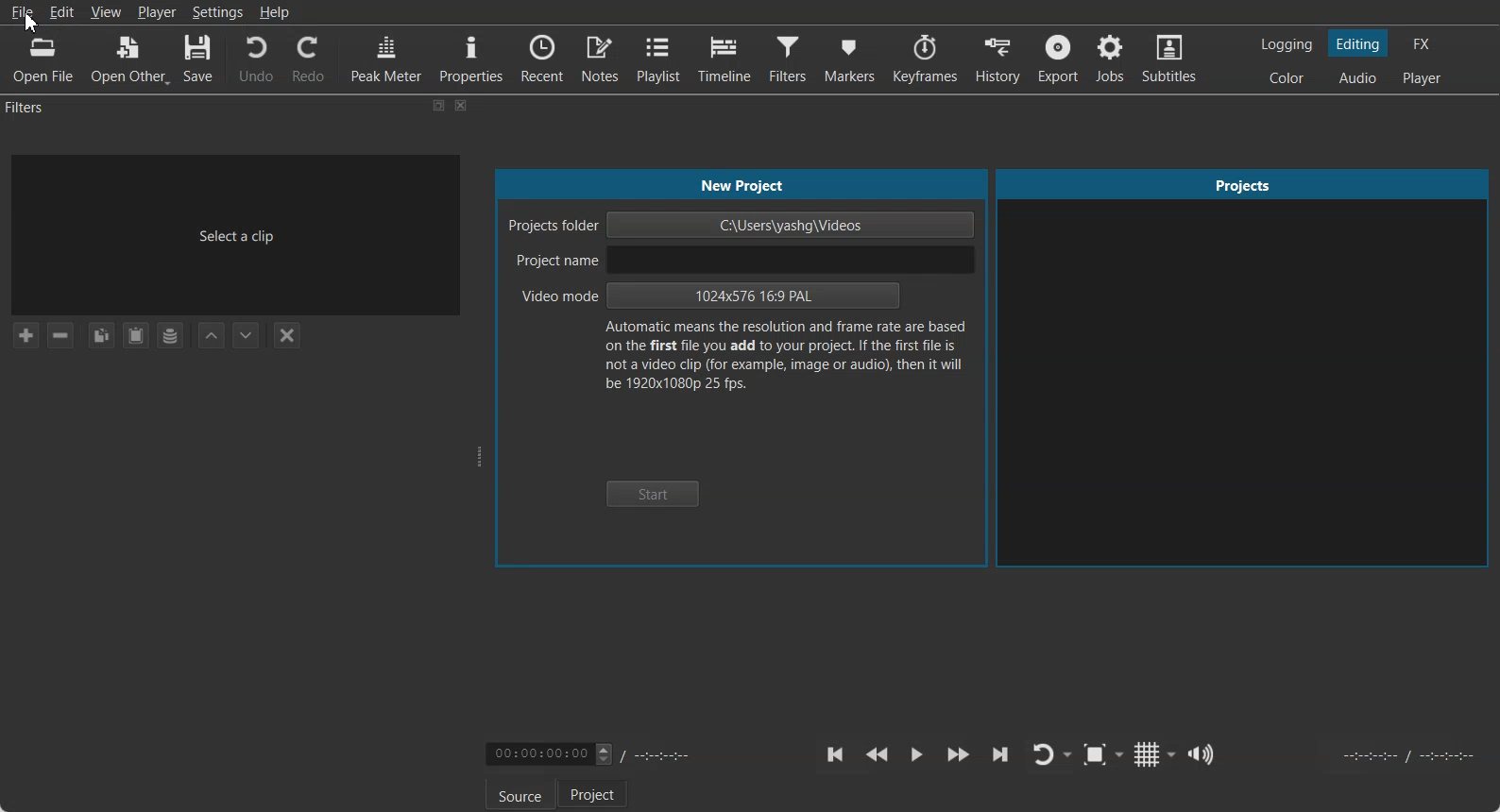 The height and width of the screenshot is (812, 1500). I want to click on Open Other, so click(129, 59).